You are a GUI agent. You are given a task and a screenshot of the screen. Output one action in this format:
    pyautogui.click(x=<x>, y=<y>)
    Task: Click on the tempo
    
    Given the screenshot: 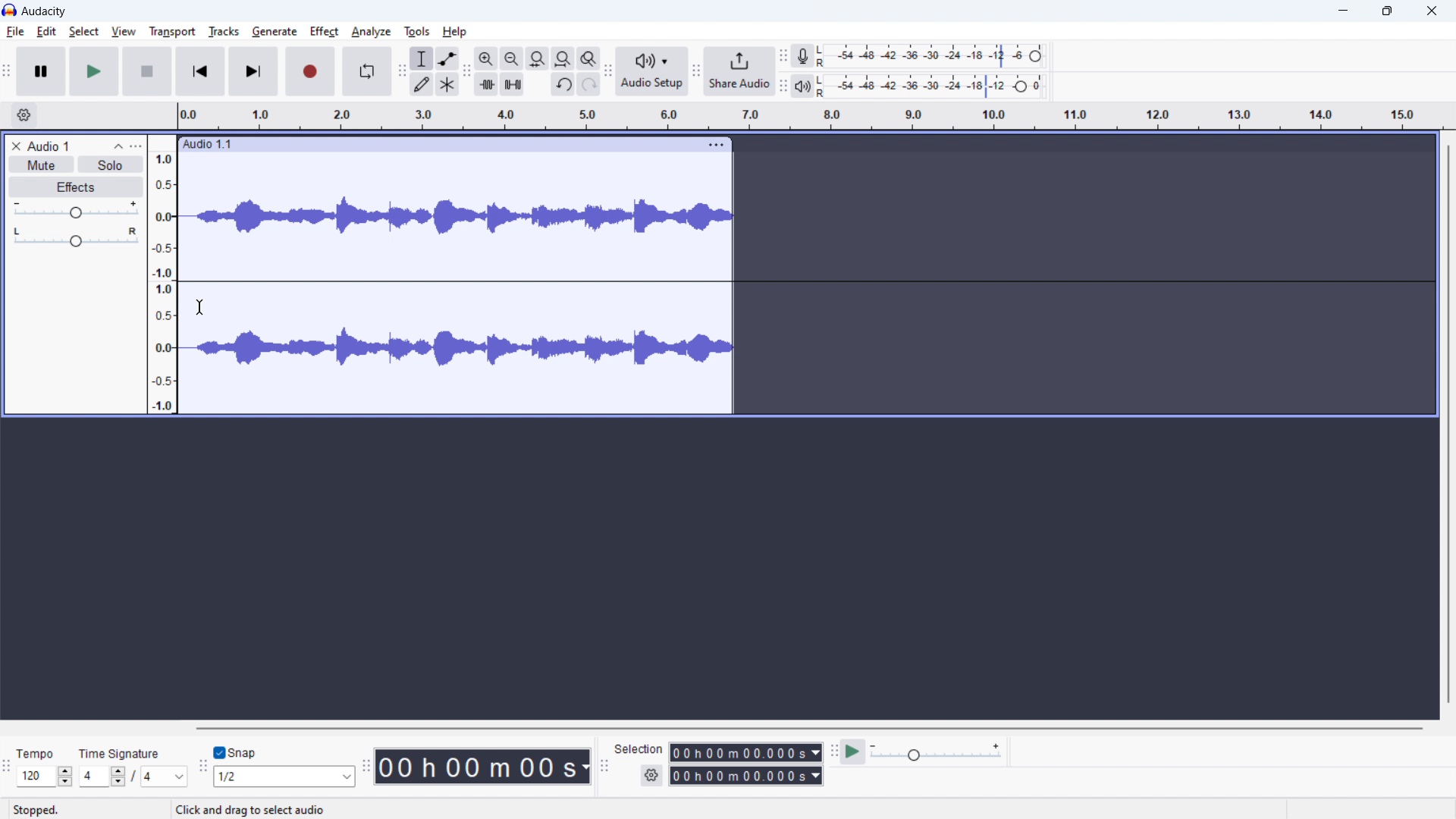 What is the action you would take?
    pyautogui.click(x=37, y=755)
    